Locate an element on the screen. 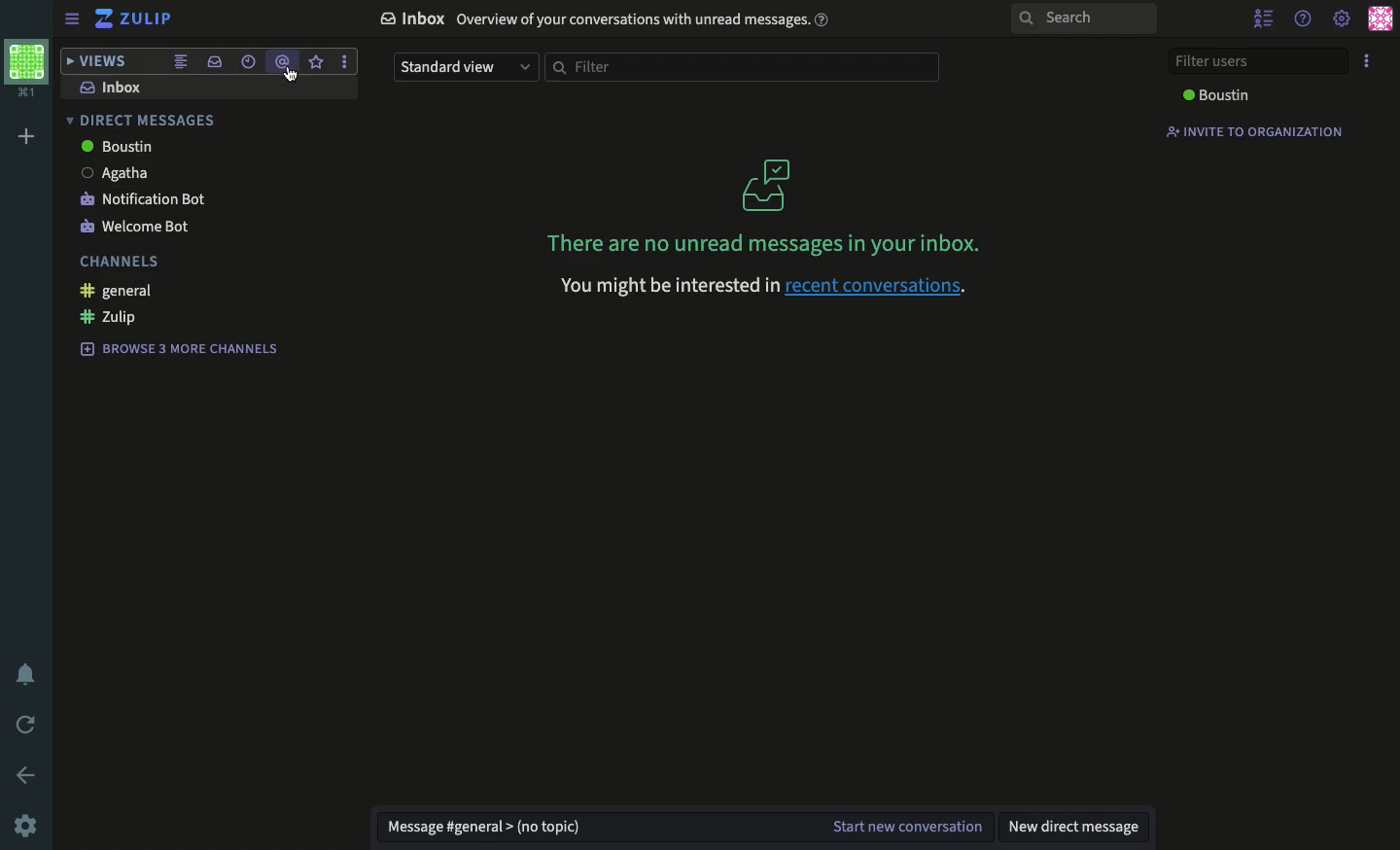 The image size is (1400, 850). recent conversations is located at coordinates (879, 287).